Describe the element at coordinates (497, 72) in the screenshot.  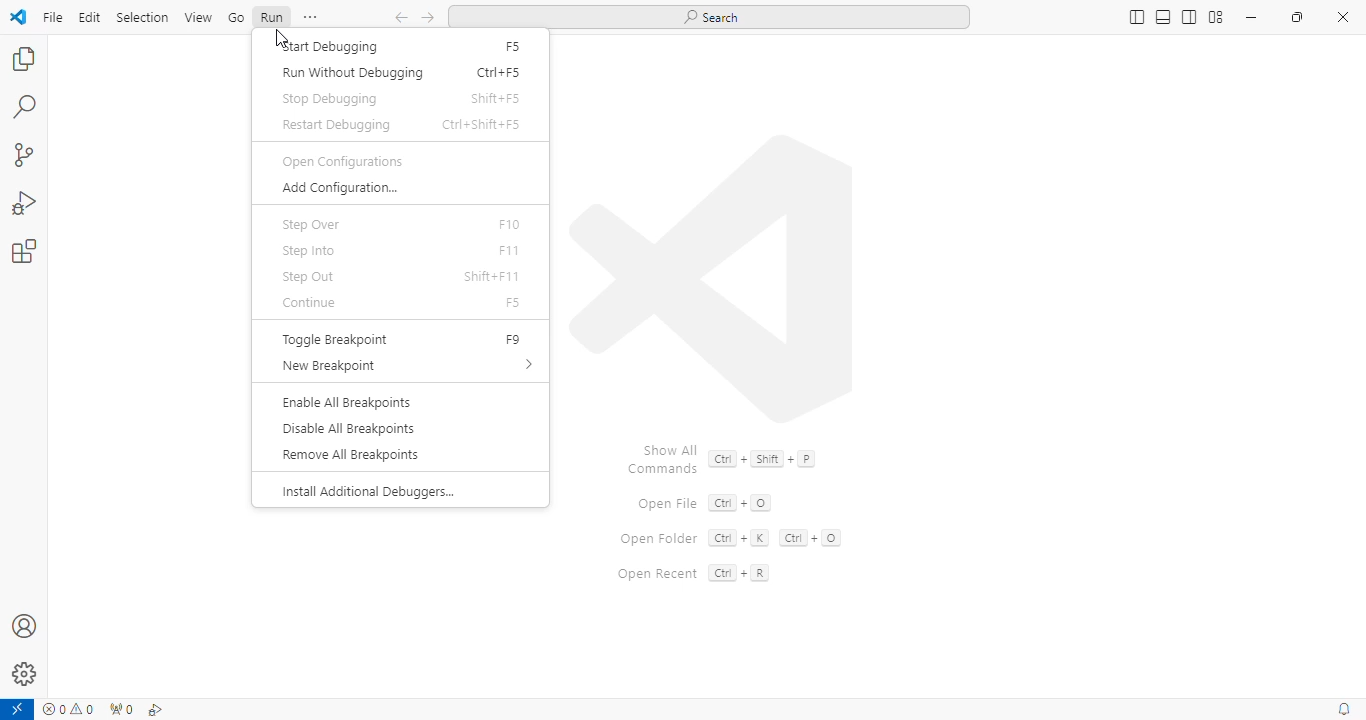
I see `ctrl+f5` at that location.